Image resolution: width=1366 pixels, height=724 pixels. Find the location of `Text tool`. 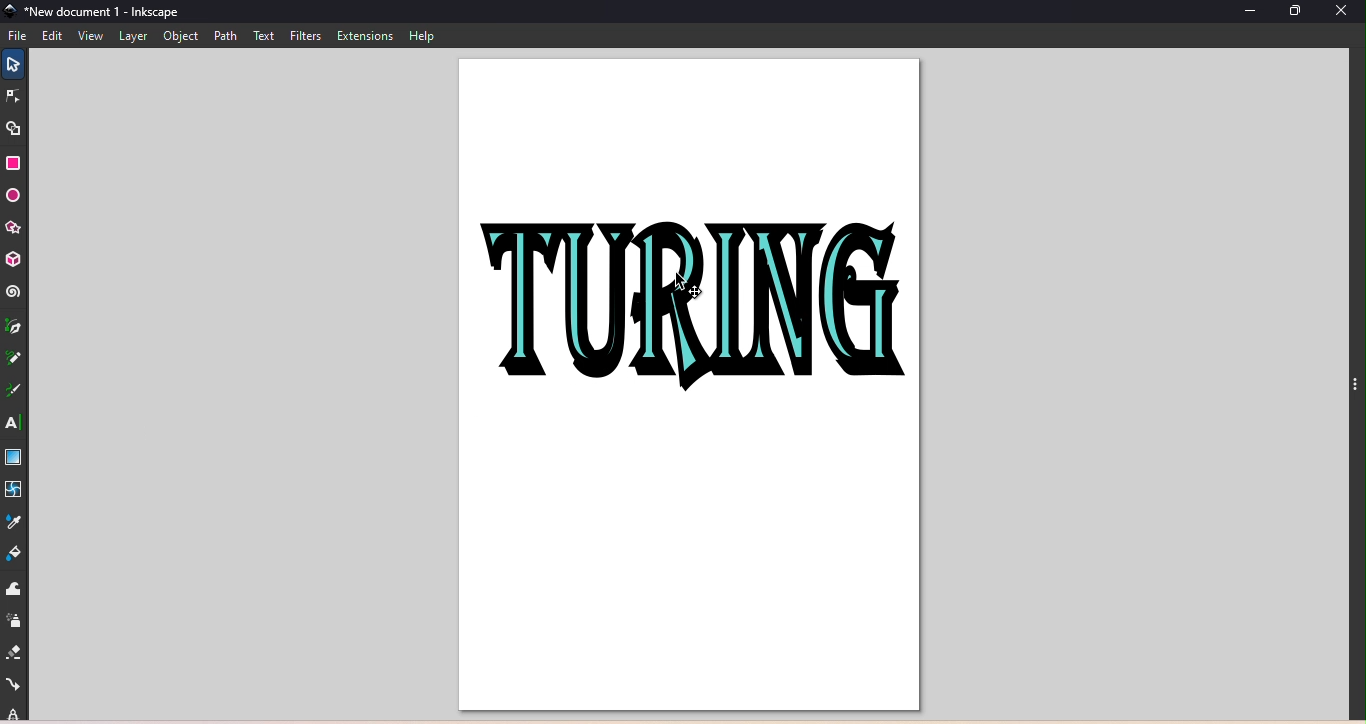

Text tool is located at coordinates (12, 422).